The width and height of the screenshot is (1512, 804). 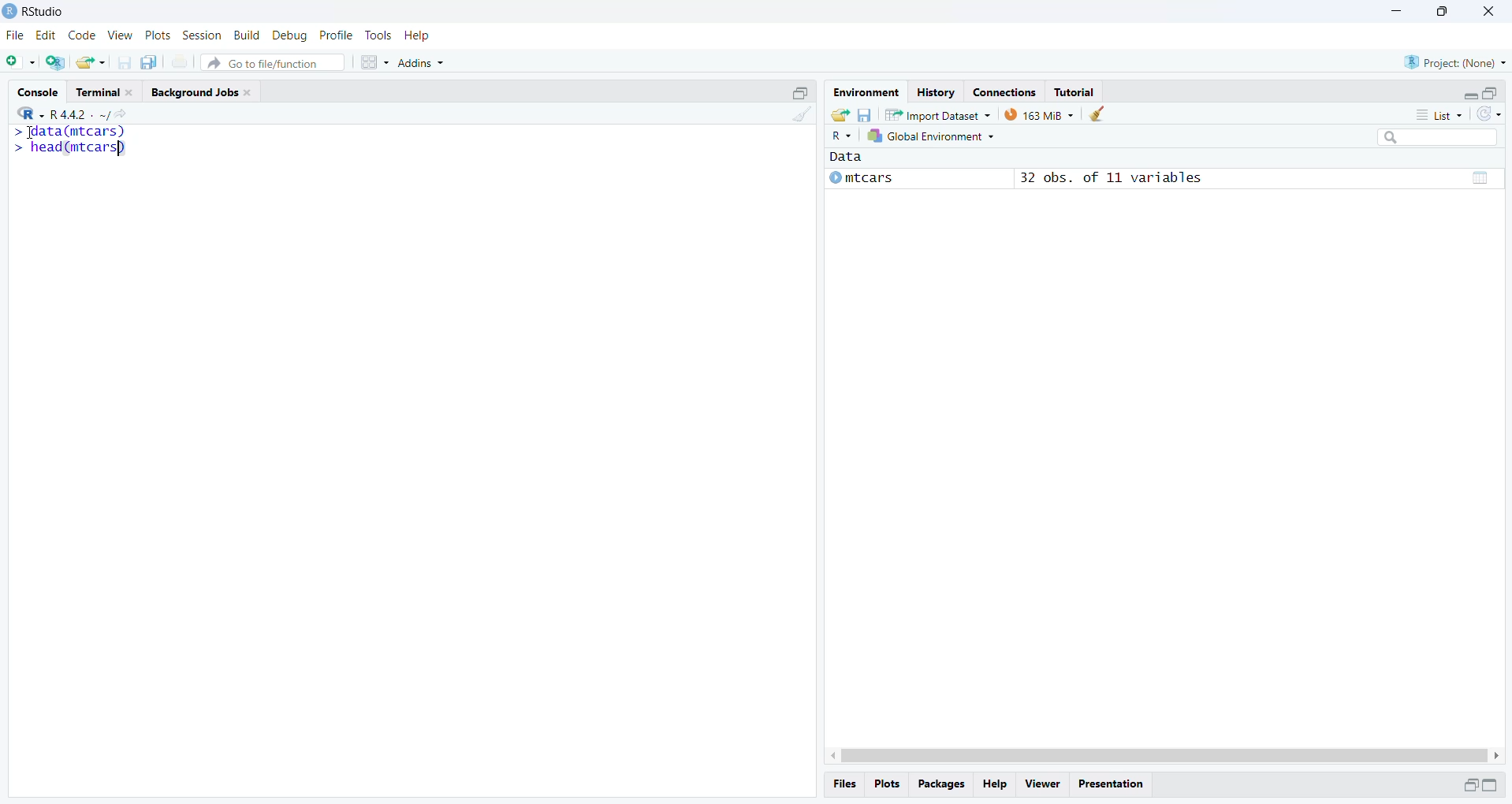 What do you see at coordinates (994, 784) in the screenshot?
I see `help` at bounding box center [994, 784].